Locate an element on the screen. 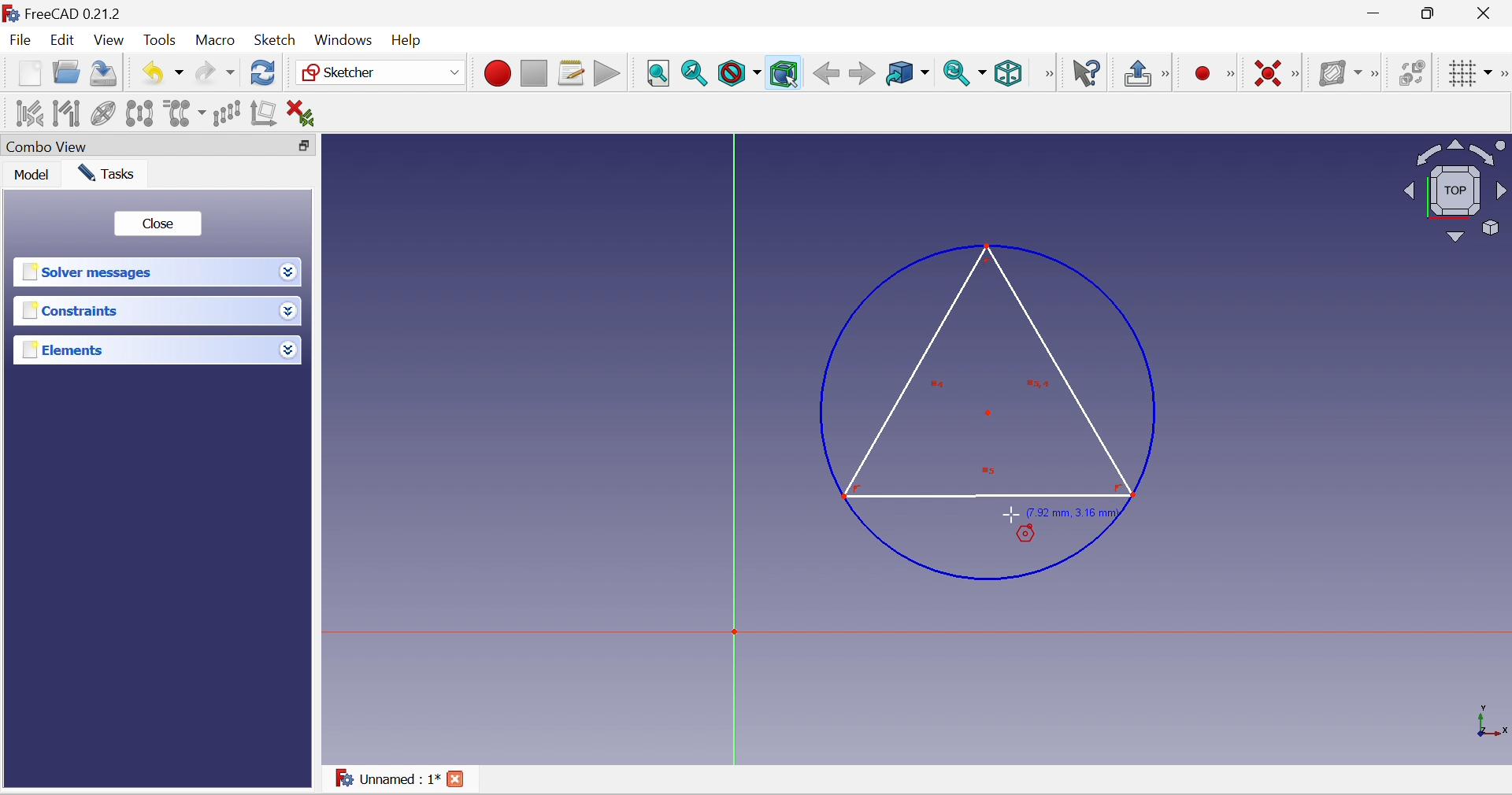 Image resolution: width=1512 pixels, height=795 pixels. Redo is located at coordinates (215, 75).